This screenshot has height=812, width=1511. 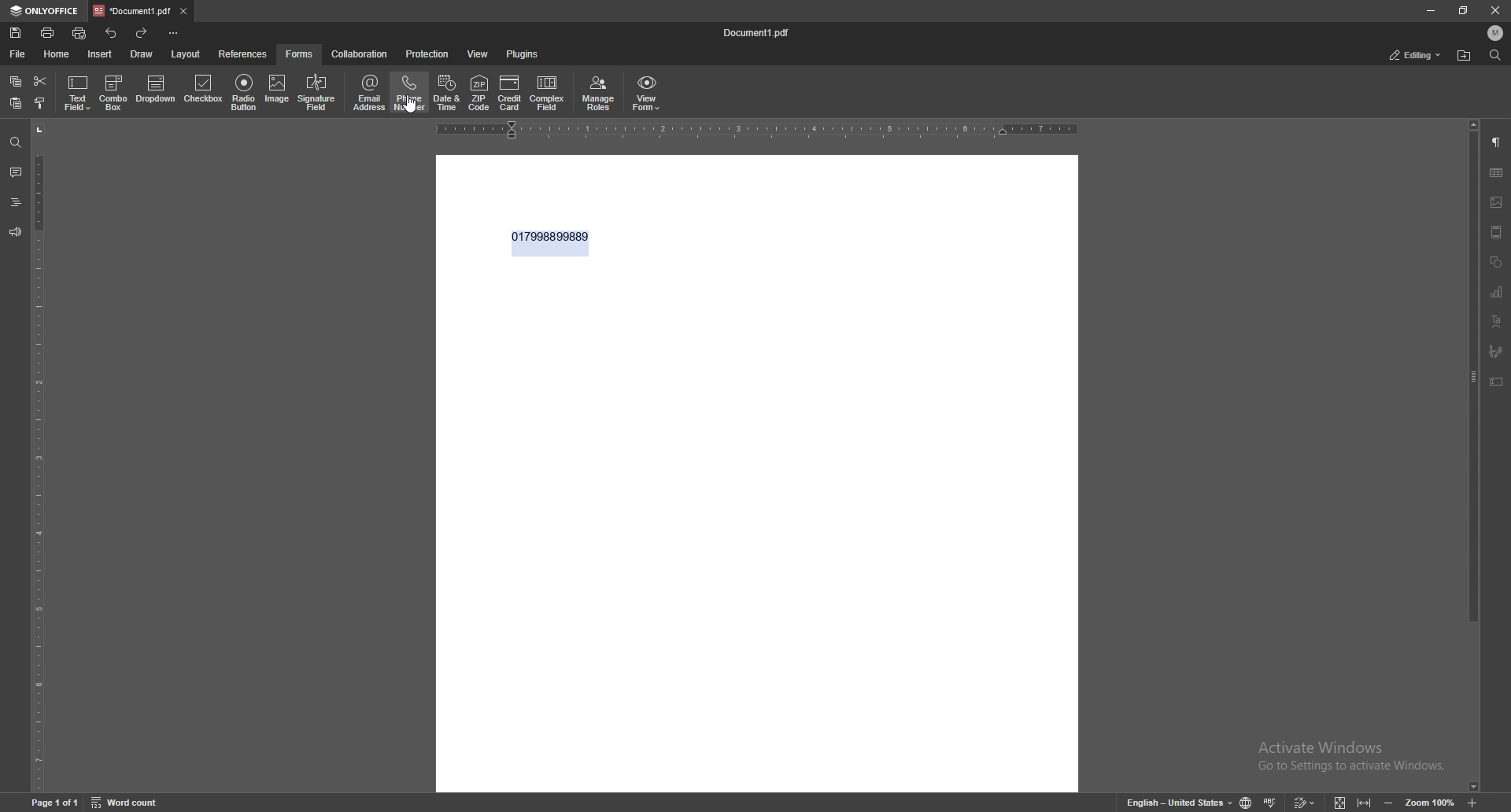 I want to click on Activate Windows
Go to Settings to activate Windows., so click(x=1354, y=757).